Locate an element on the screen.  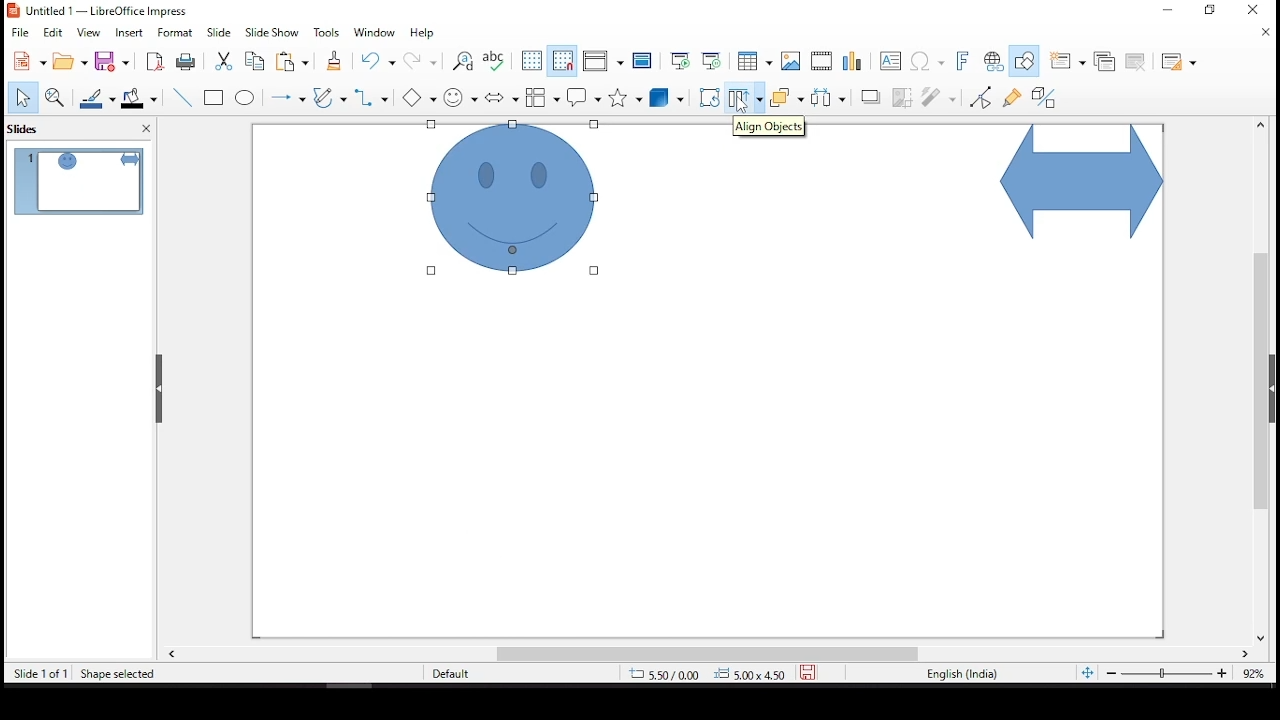
text box is located at coordinates (893, 63).